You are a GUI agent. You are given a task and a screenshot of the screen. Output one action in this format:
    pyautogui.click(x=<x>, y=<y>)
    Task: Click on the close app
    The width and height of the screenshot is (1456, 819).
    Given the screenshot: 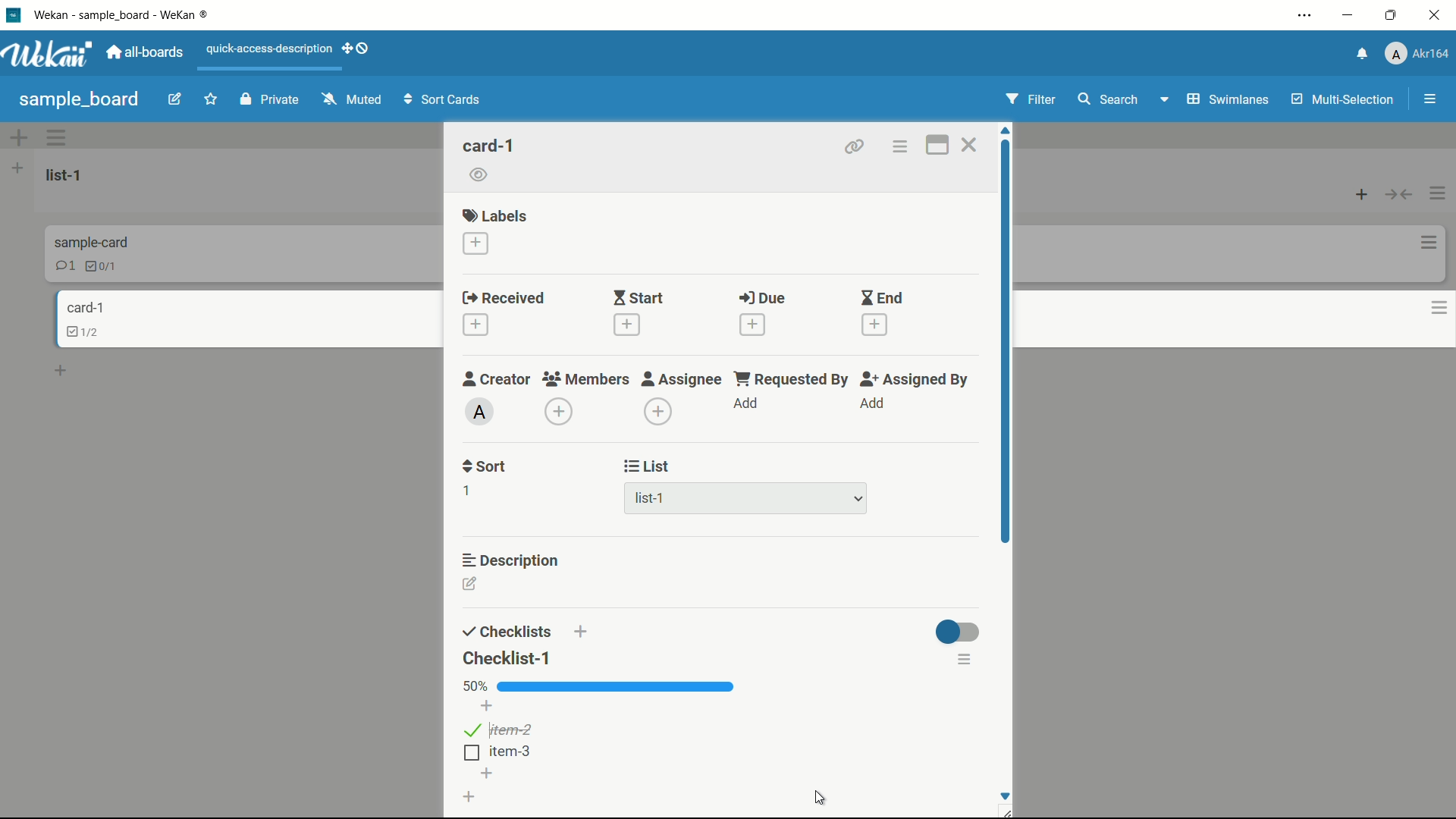 What is the action you would take?
    pyautogui.click(x=1436, y=16)
    